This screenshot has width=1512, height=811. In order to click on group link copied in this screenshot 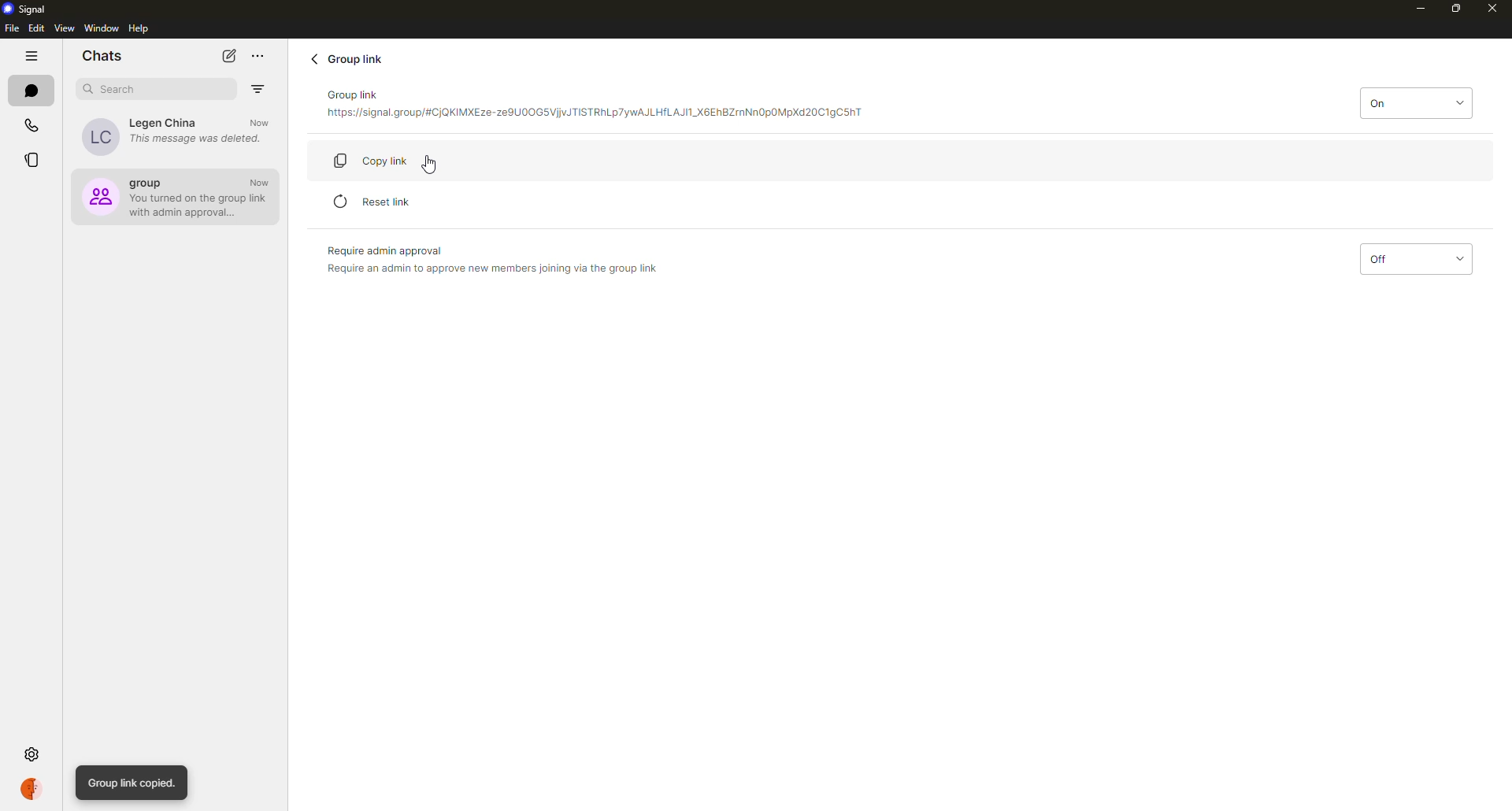, I will do `click(133, 783)`.